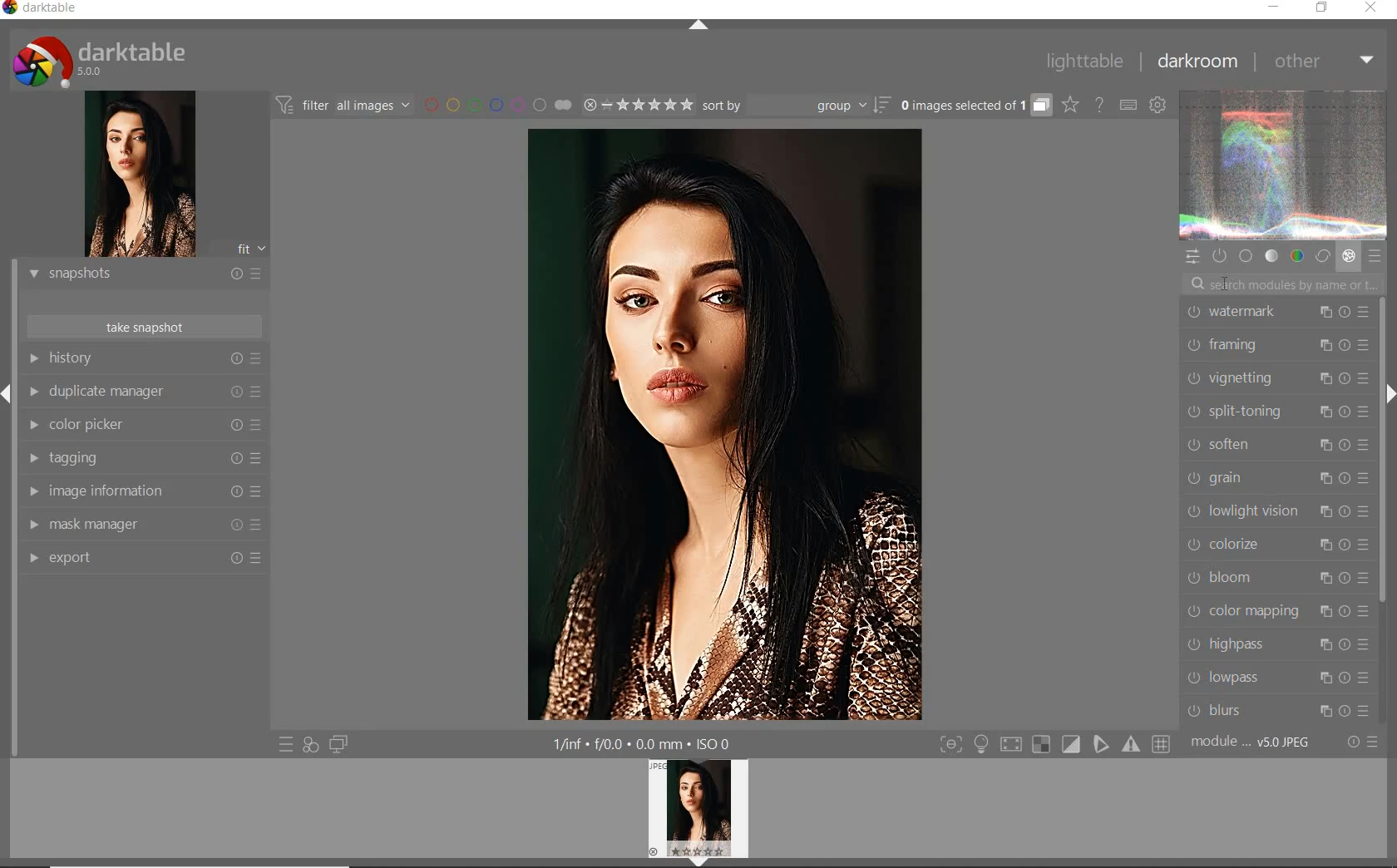  Describe the element at coordinates (1127, 106) in the screenshot. I see `set keyboard shortcuts` at that location.